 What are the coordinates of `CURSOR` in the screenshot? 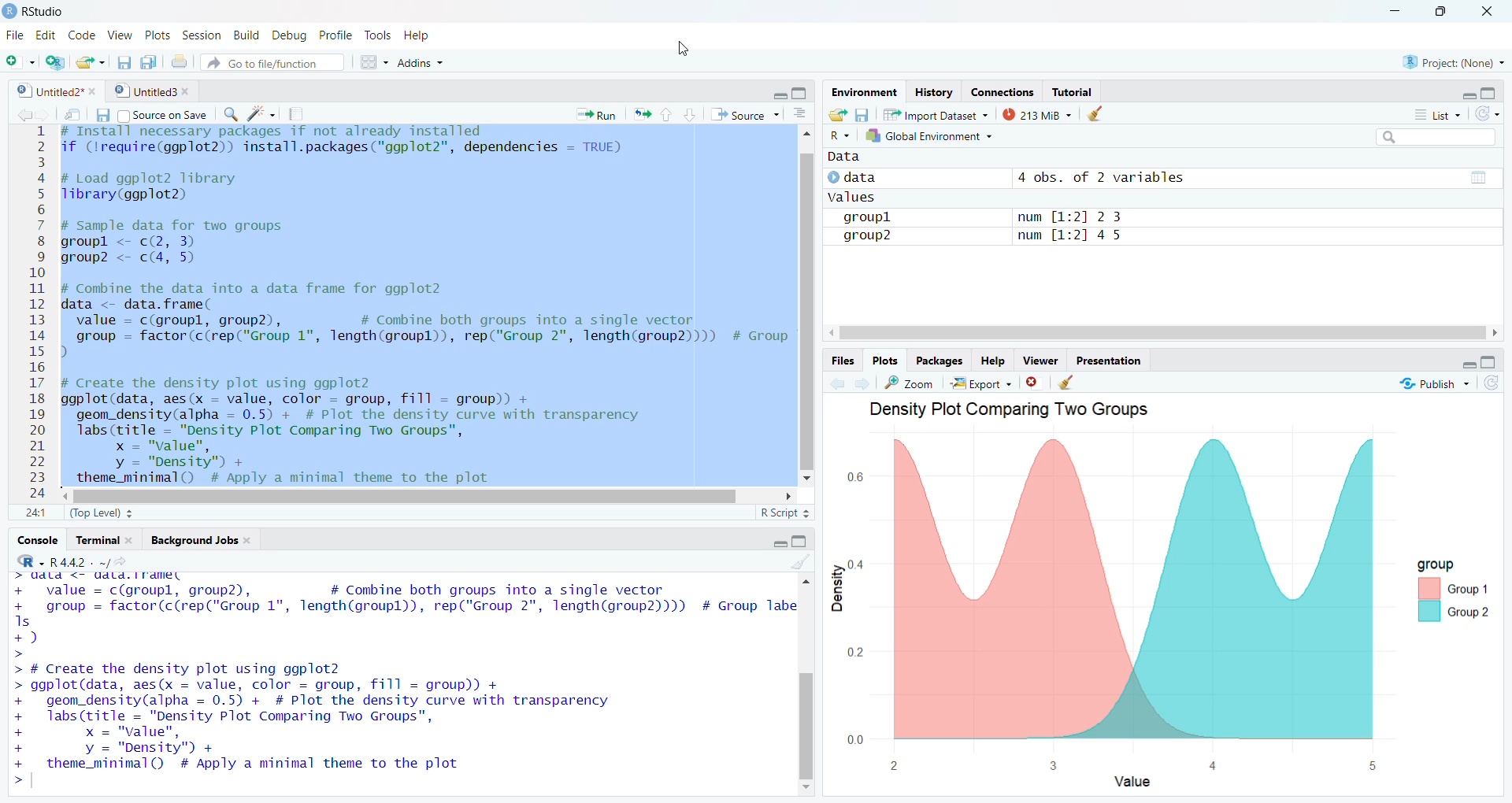 It's located at (683, 46).